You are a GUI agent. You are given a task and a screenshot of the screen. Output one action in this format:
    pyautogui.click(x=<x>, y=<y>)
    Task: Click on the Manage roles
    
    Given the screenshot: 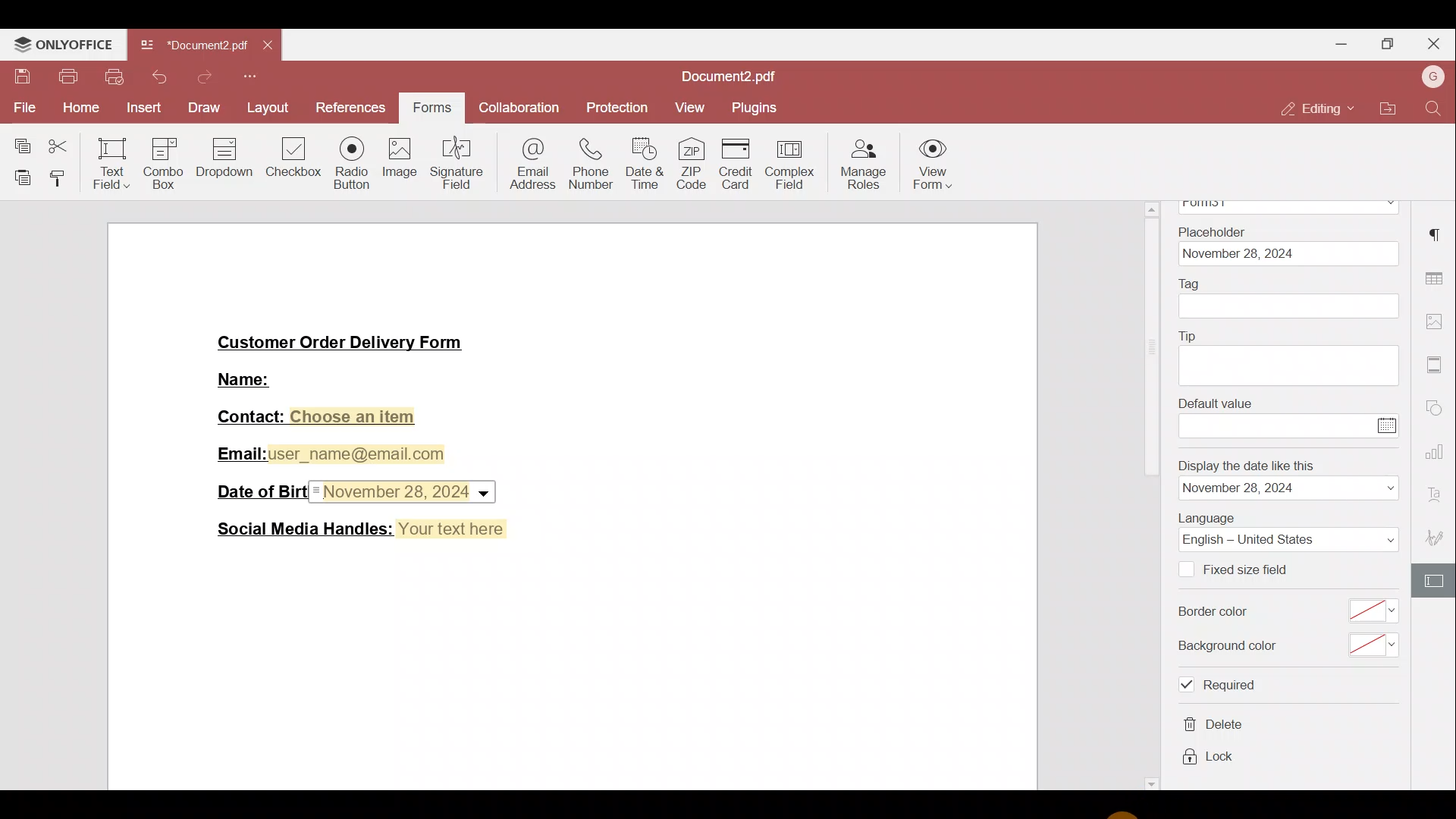 What is the action you would take?
    pyautogui.click(x=864, y=167)
    